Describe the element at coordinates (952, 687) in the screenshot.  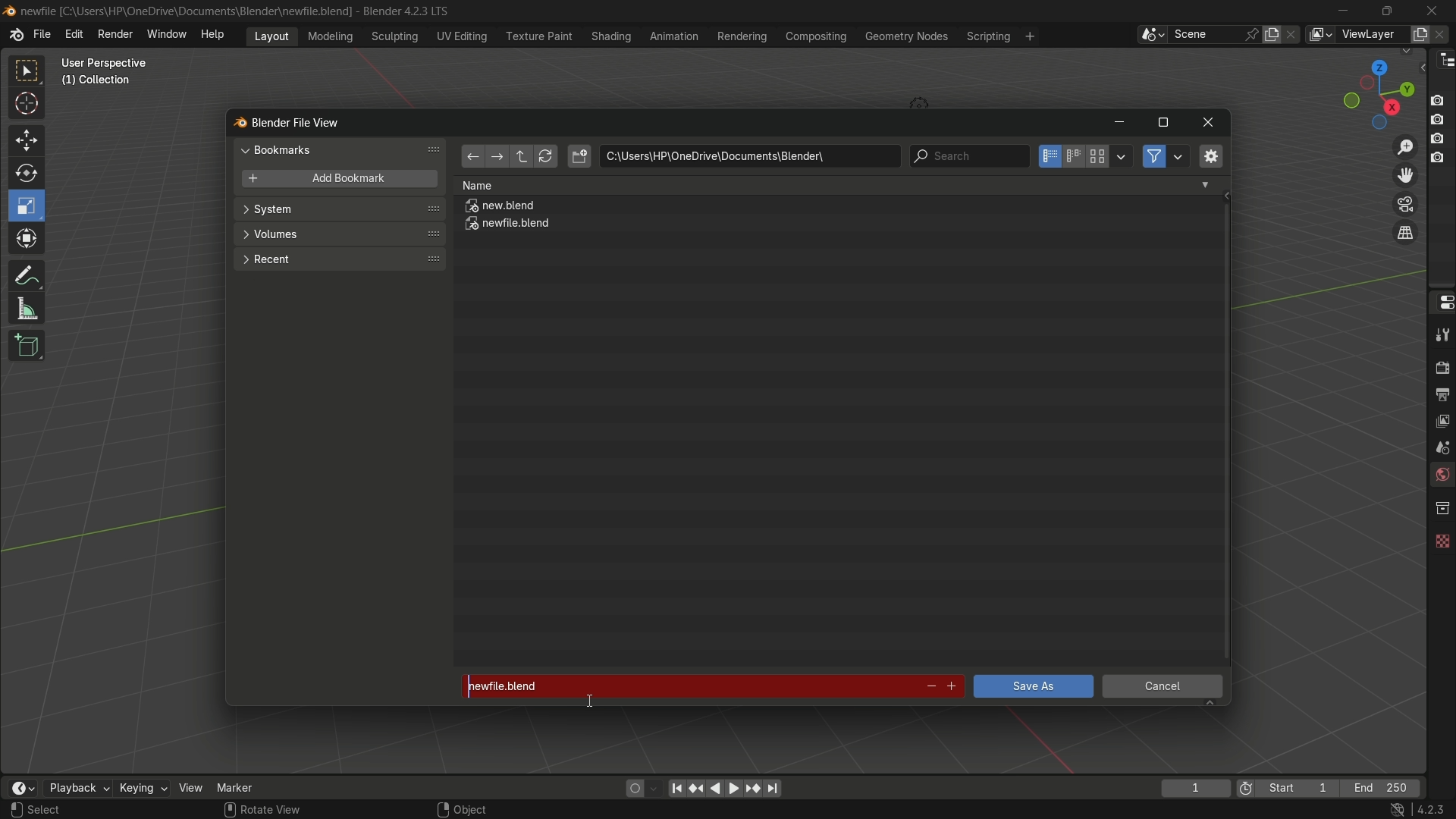
I see `increment file number` at that location.